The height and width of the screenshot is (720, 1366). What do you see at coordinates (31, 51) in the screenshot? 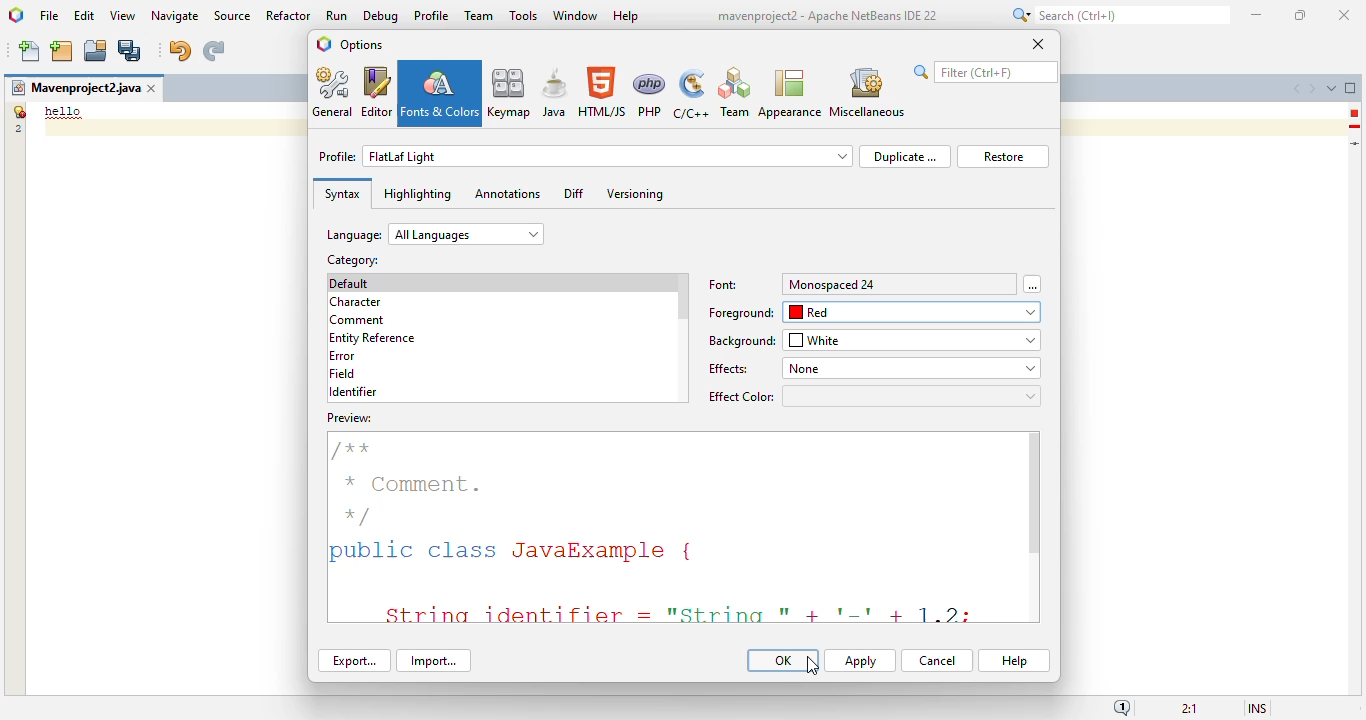
I see `new file` at bounding box center [31, 51].